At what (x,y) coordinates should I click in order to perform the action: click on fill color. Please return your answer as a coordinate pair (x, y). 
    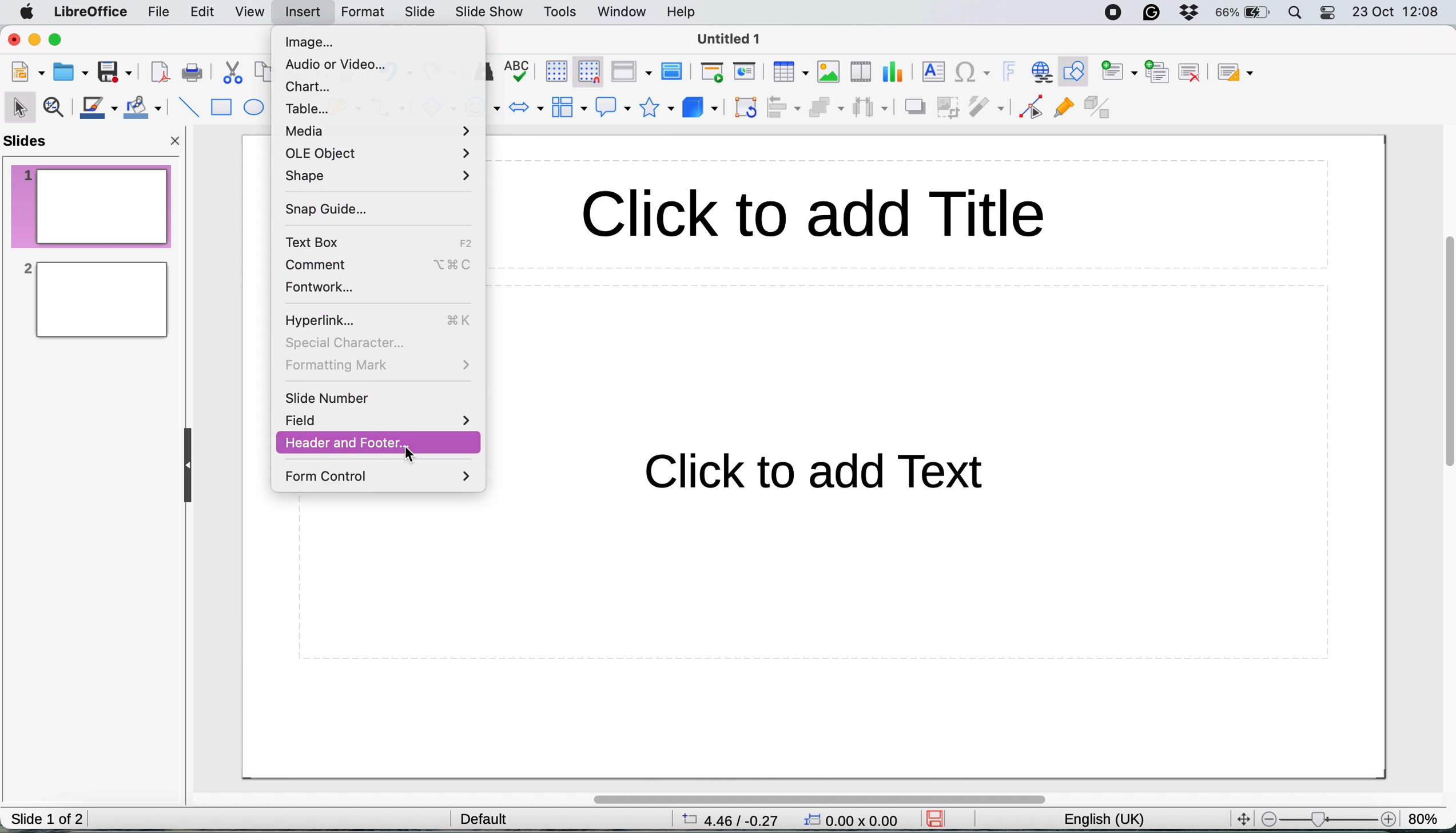
    Looking at the image, I should click on (145, 108).